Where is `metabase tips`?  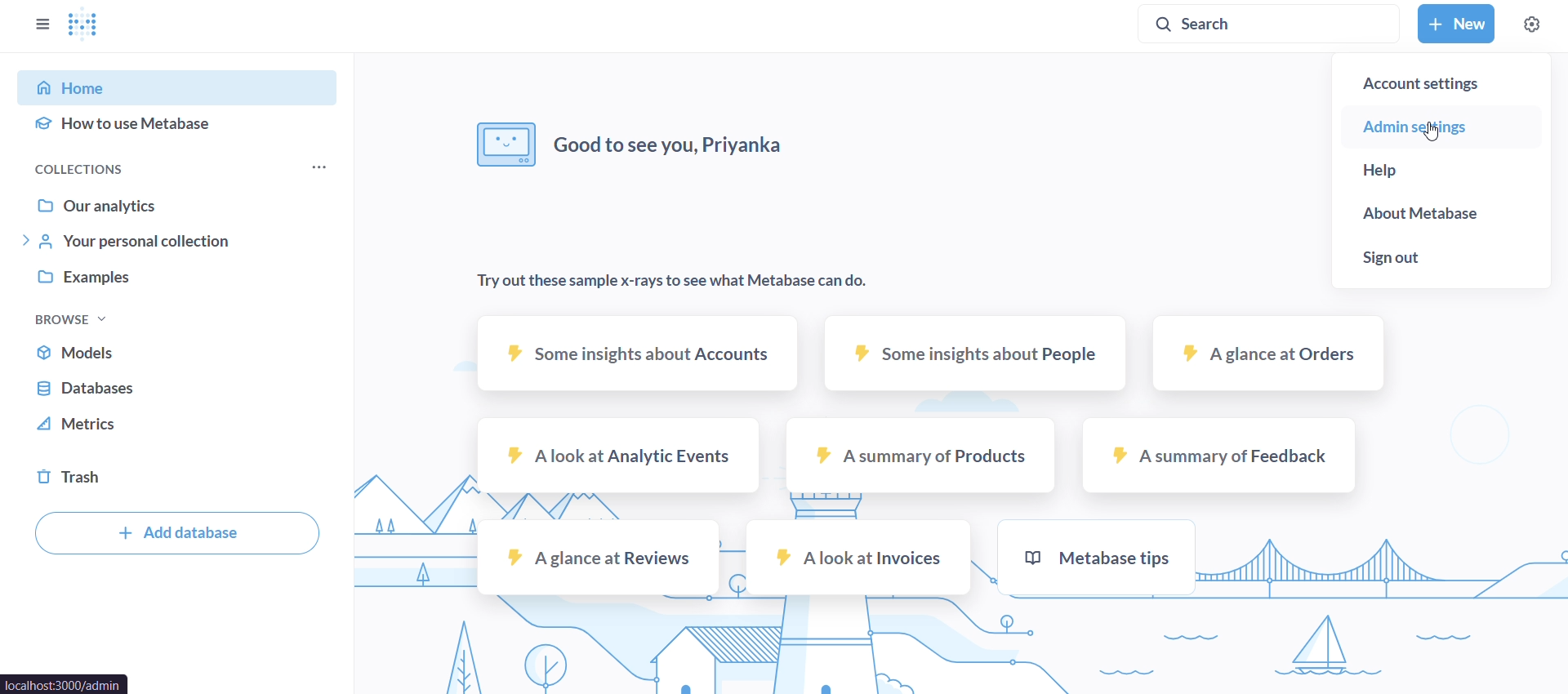 metabase tips is located at coordinates (1094, 555).